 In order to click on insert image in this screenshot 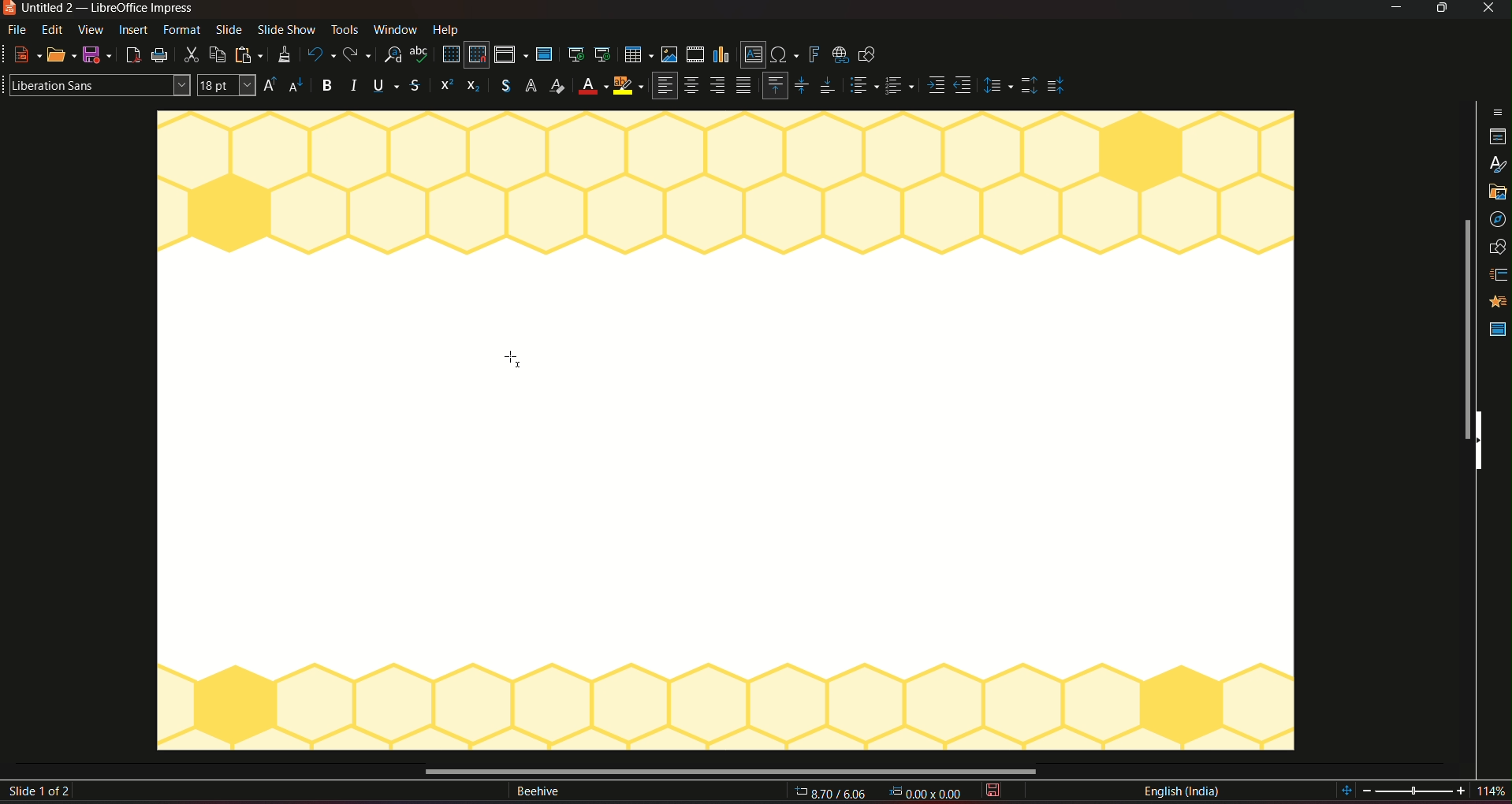, I will do `click(668, 54)`.